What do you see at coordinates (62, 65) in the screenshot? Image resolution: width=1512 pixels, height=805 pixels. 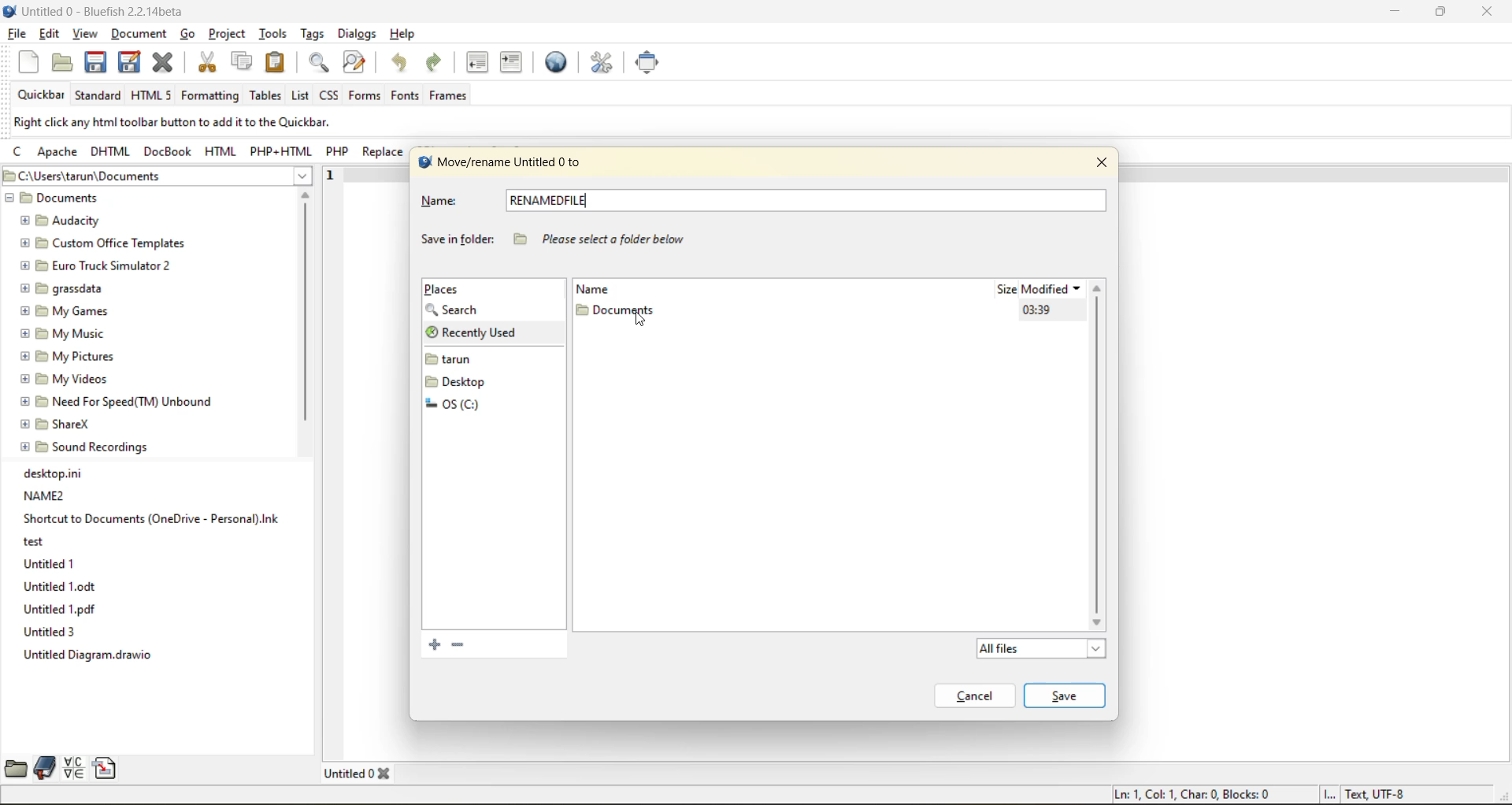 I see `open` at bounding box center [62, 65].